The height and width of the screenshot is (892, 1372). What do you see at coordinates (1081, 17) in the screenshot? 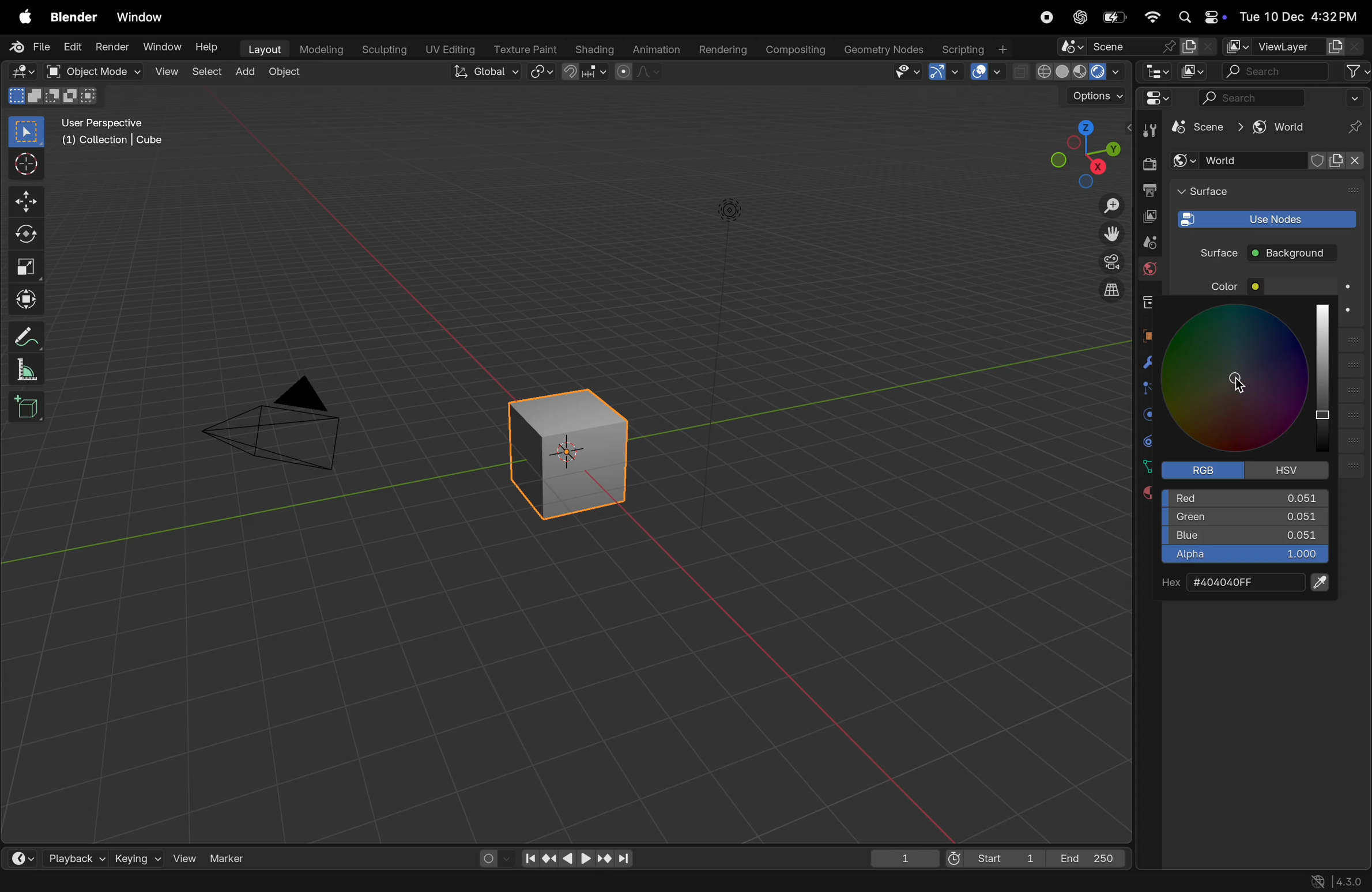
I see `chatgpt` at bounding box center [1081, 17].